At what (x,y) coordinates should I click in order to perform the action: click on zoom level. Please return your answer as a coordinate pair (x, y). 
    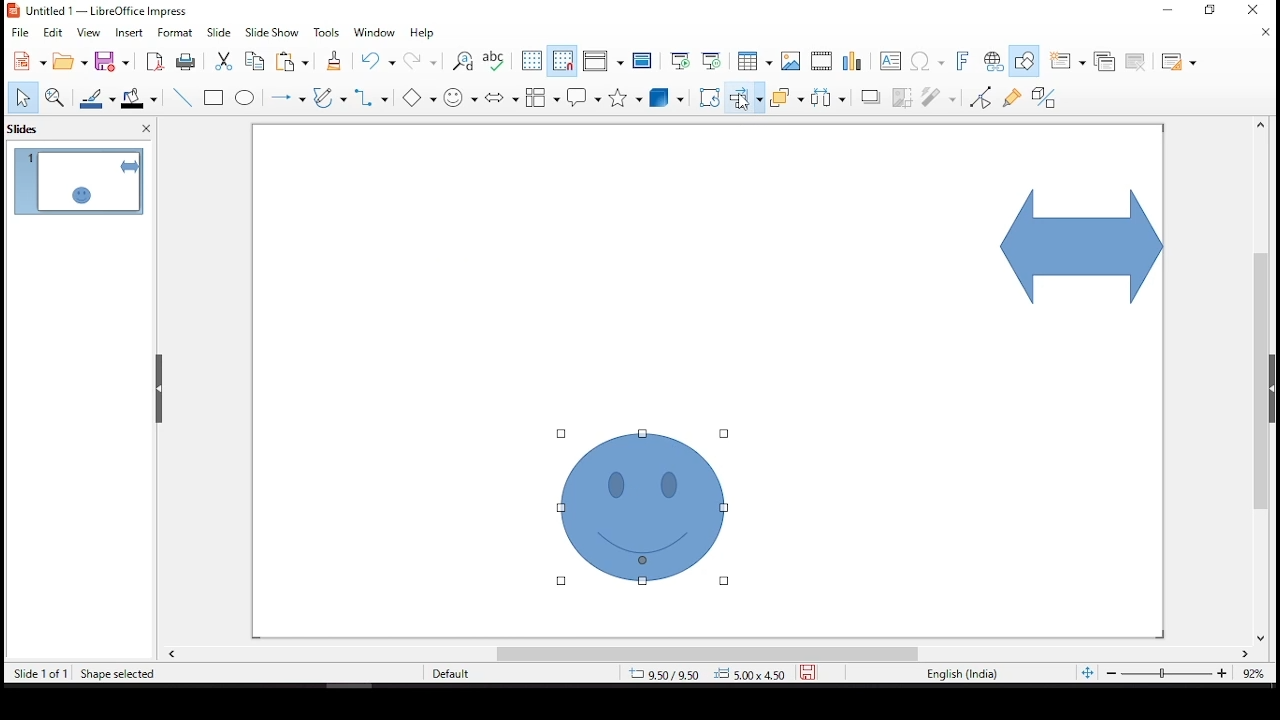
    Looking at the image, I should click on (1252, 674).